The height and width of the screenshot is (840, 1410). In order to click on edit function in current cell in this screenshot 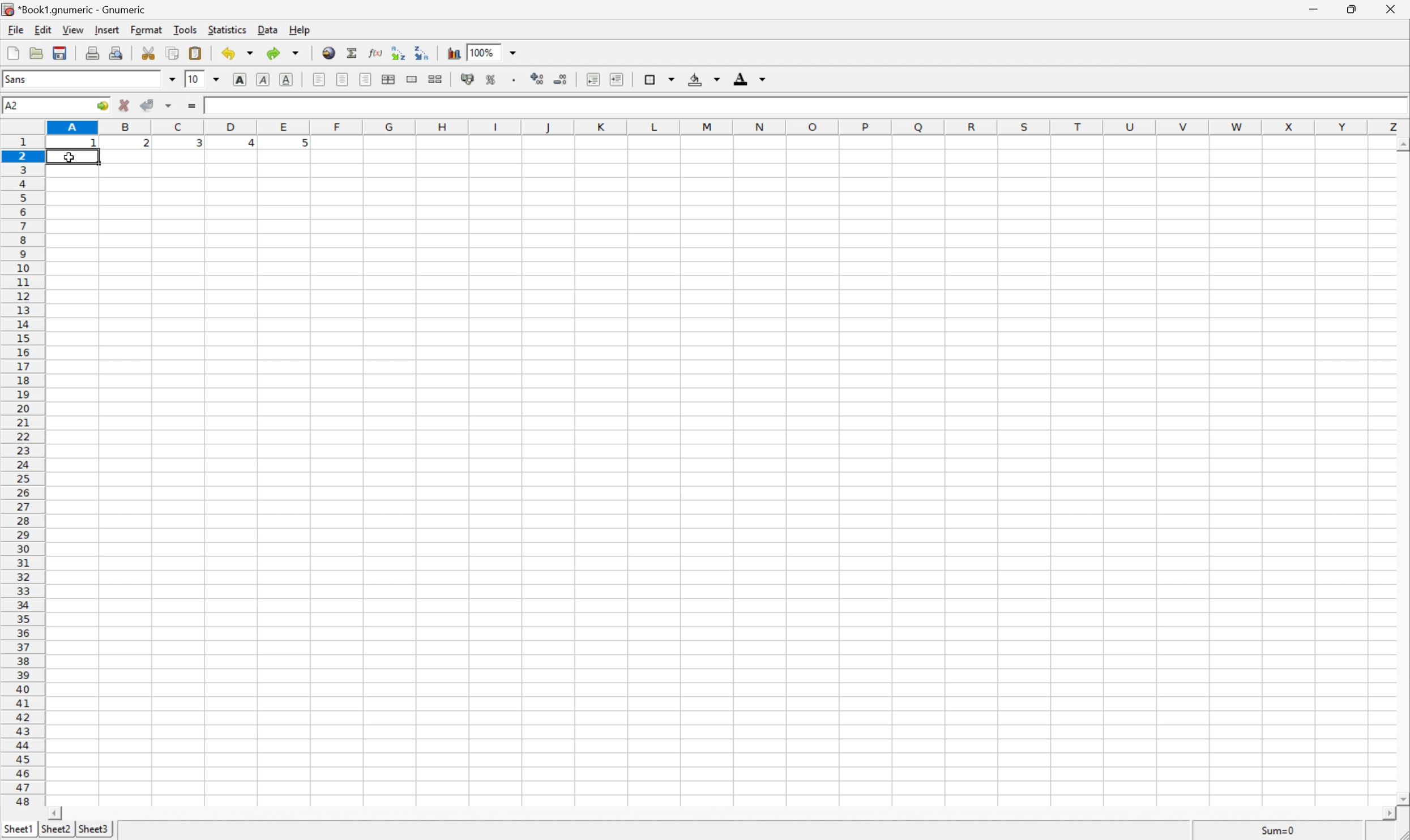, I will do `click(377, 54)`.